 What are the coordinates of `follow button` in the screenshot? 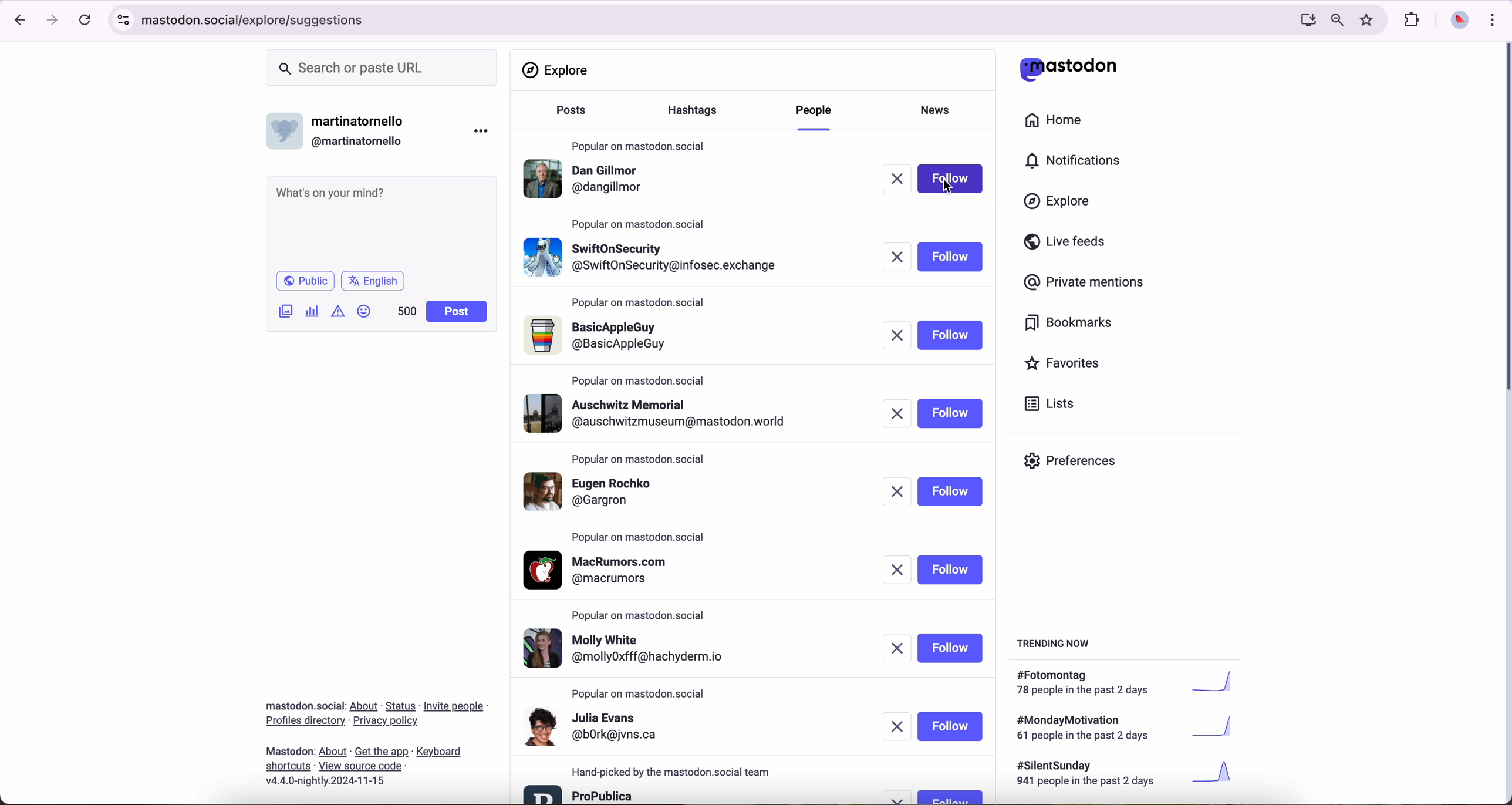 It's located at (950, 570).